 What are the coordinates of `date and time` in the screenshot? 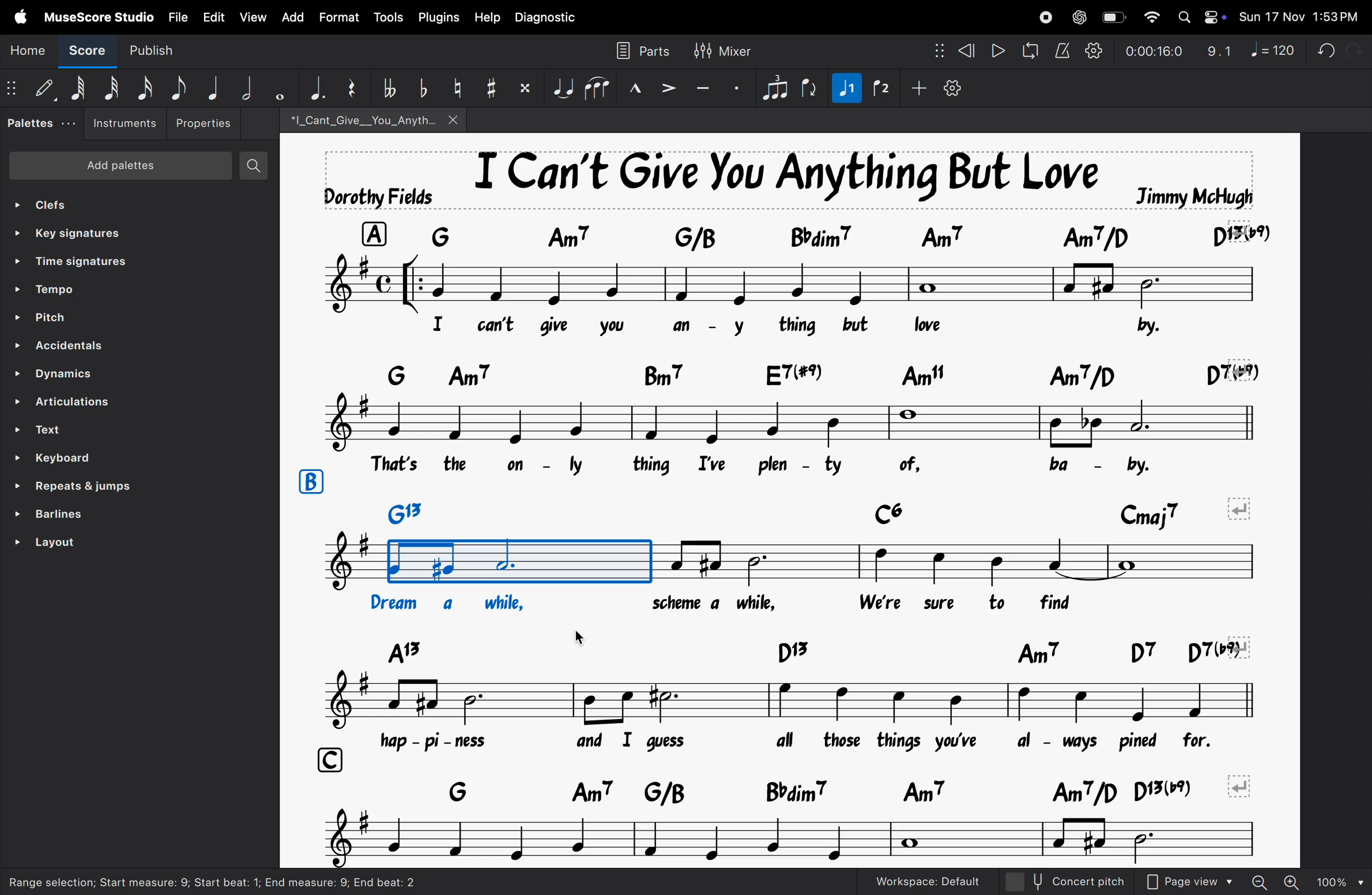 It's located at (1302, 14).